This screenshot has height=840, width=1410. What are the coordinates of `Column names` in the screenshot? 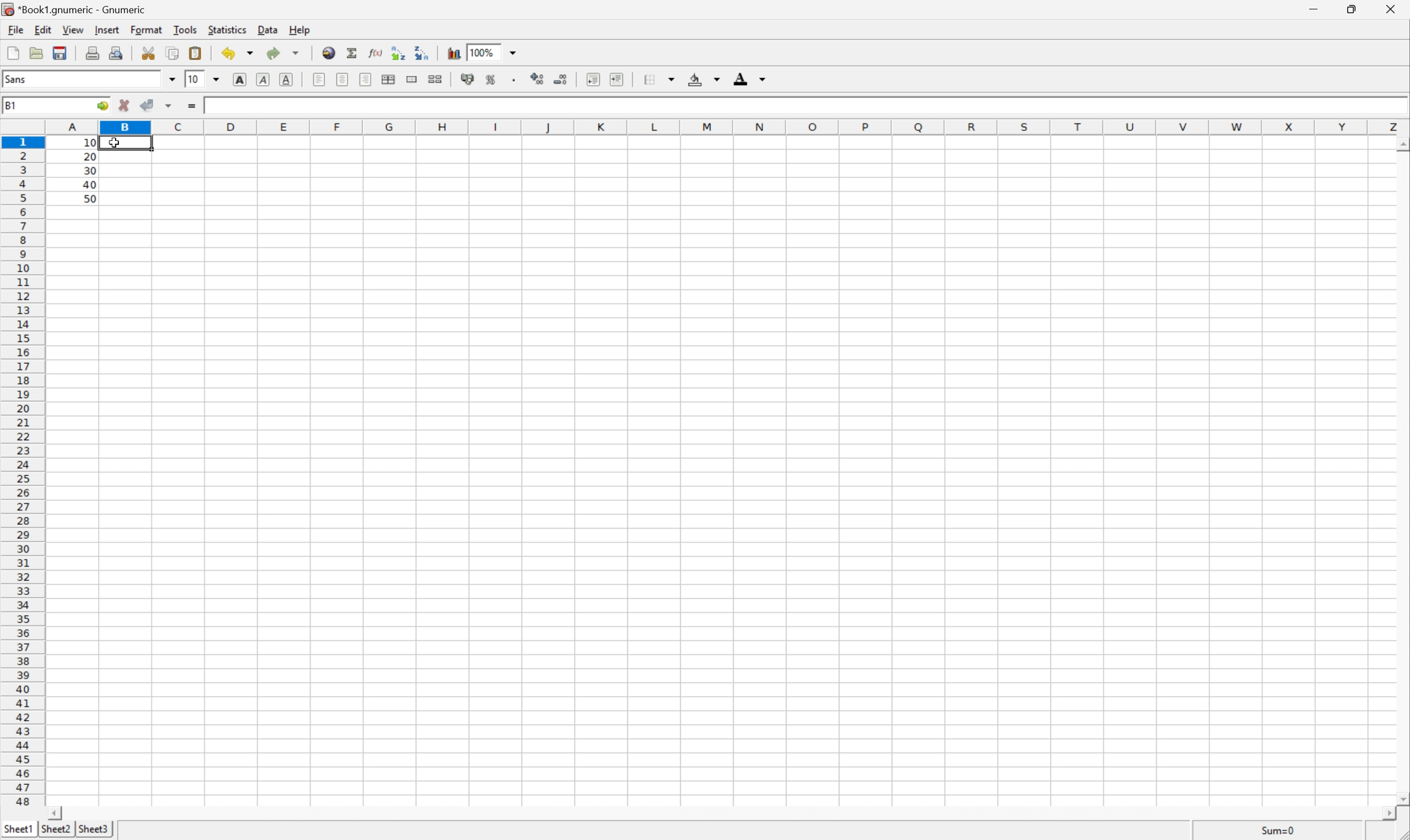 It's located at (727, 127).